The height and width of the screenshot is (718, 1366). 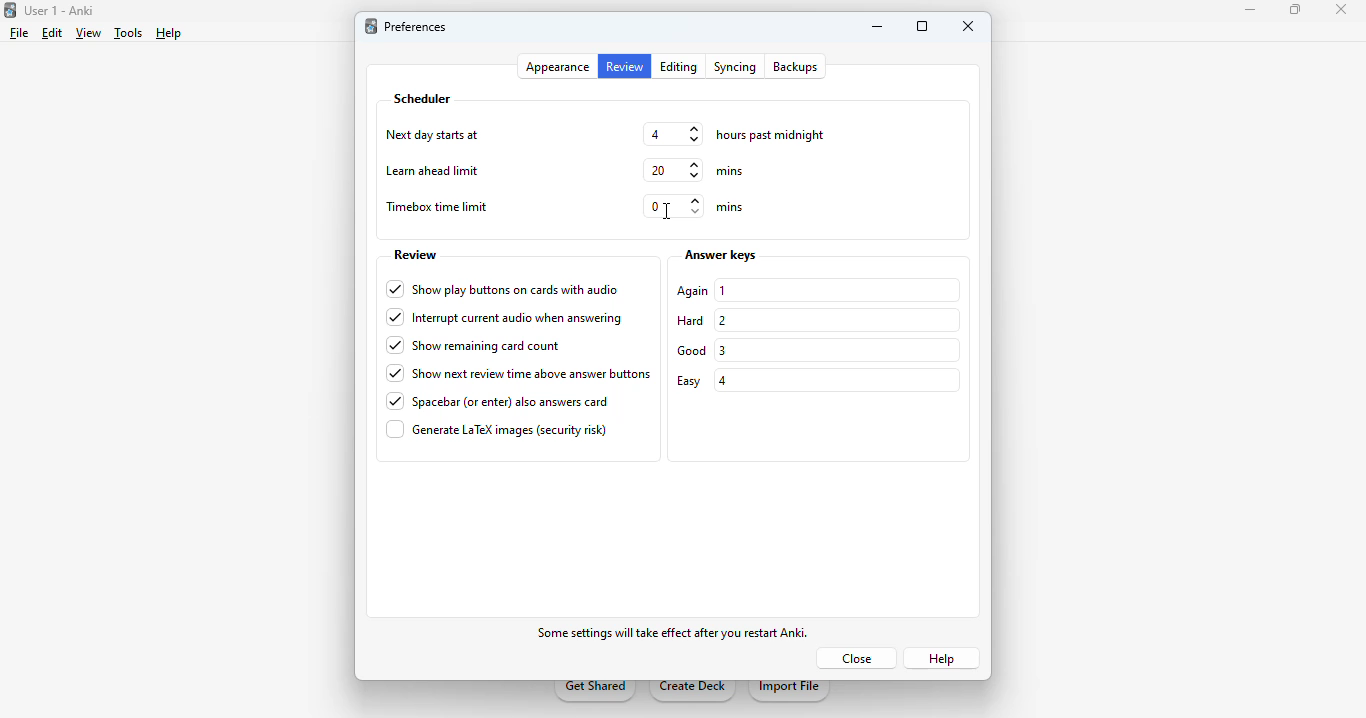 I want to click on maximize, so click(x=1295, y=10).